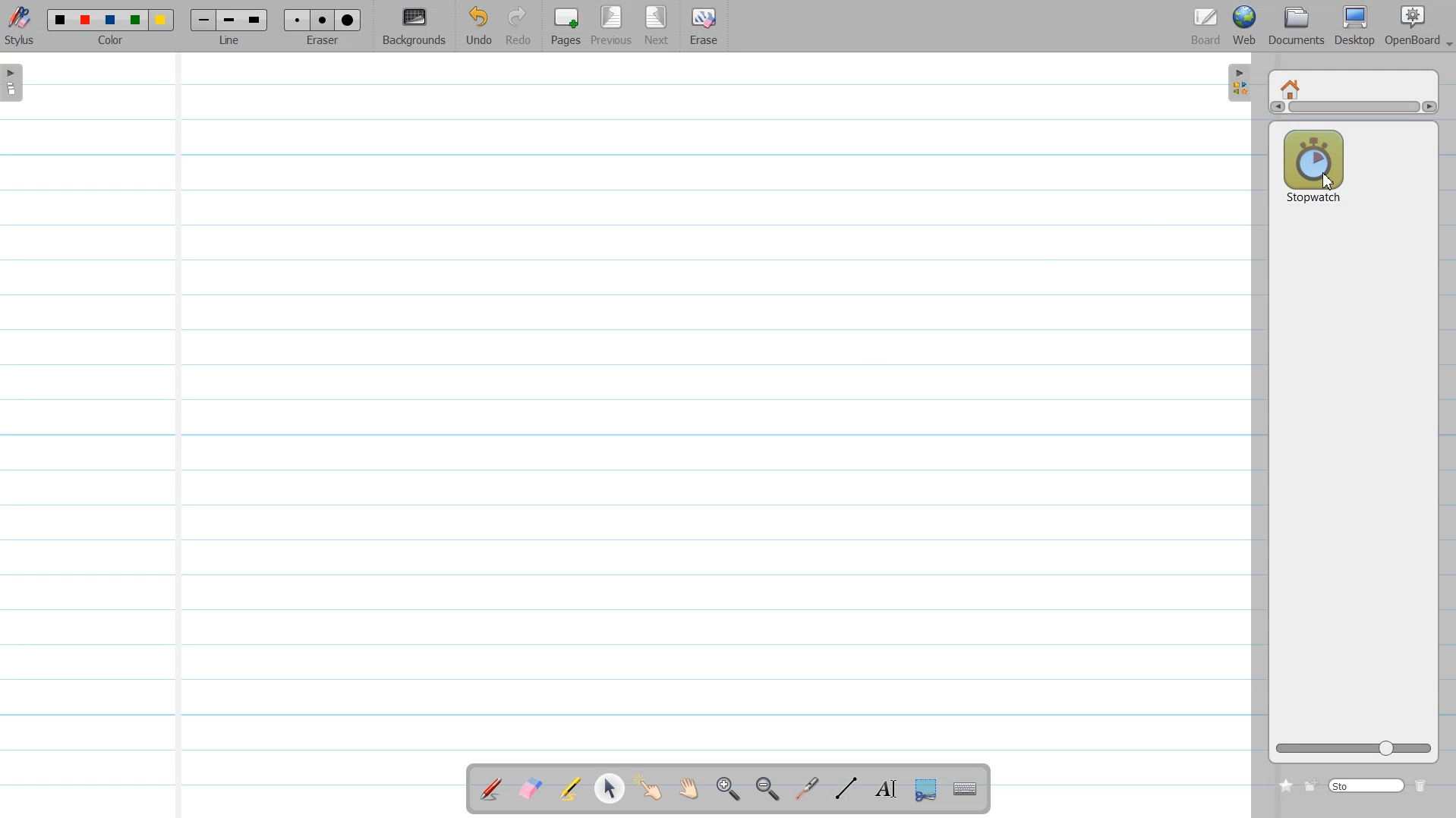 The width and height of the screenshot is (1456, 818). Describe the element at coordinates (323, 27) in the screenshot. I see `Eraser` at that location.